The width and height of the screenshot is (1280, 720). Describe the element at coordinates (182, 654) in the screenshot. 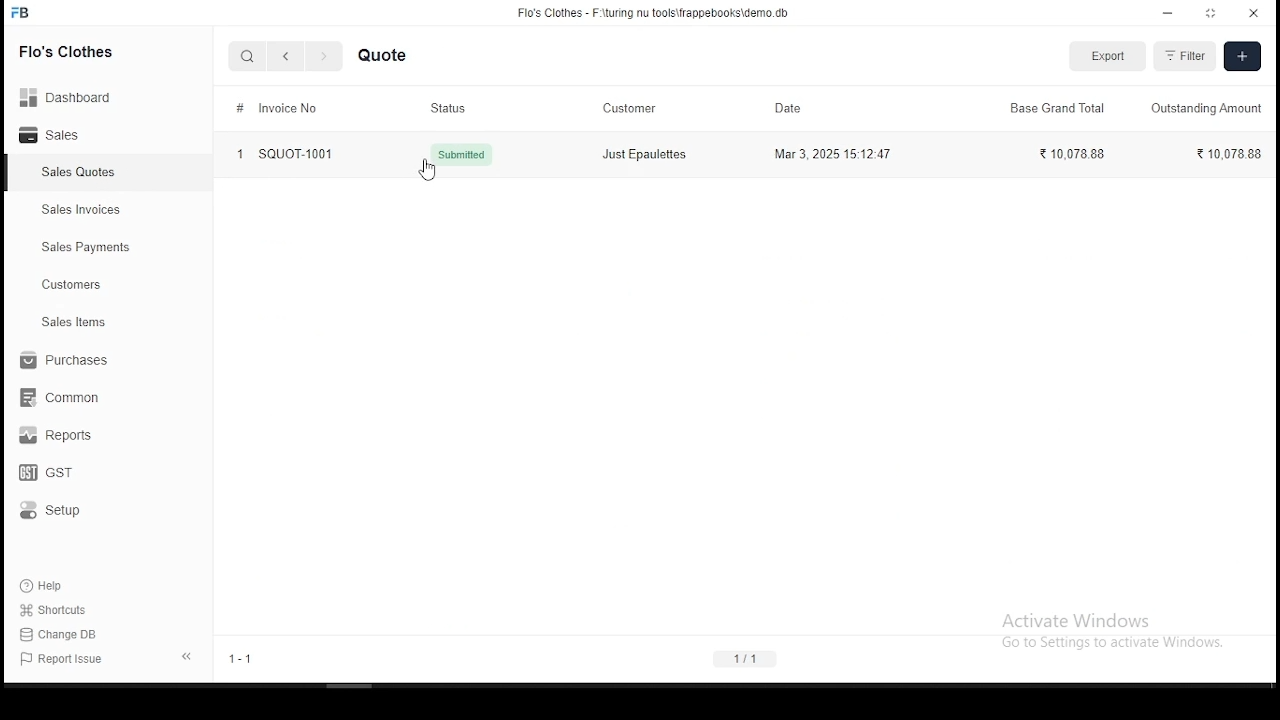

I see `expand` at that location.